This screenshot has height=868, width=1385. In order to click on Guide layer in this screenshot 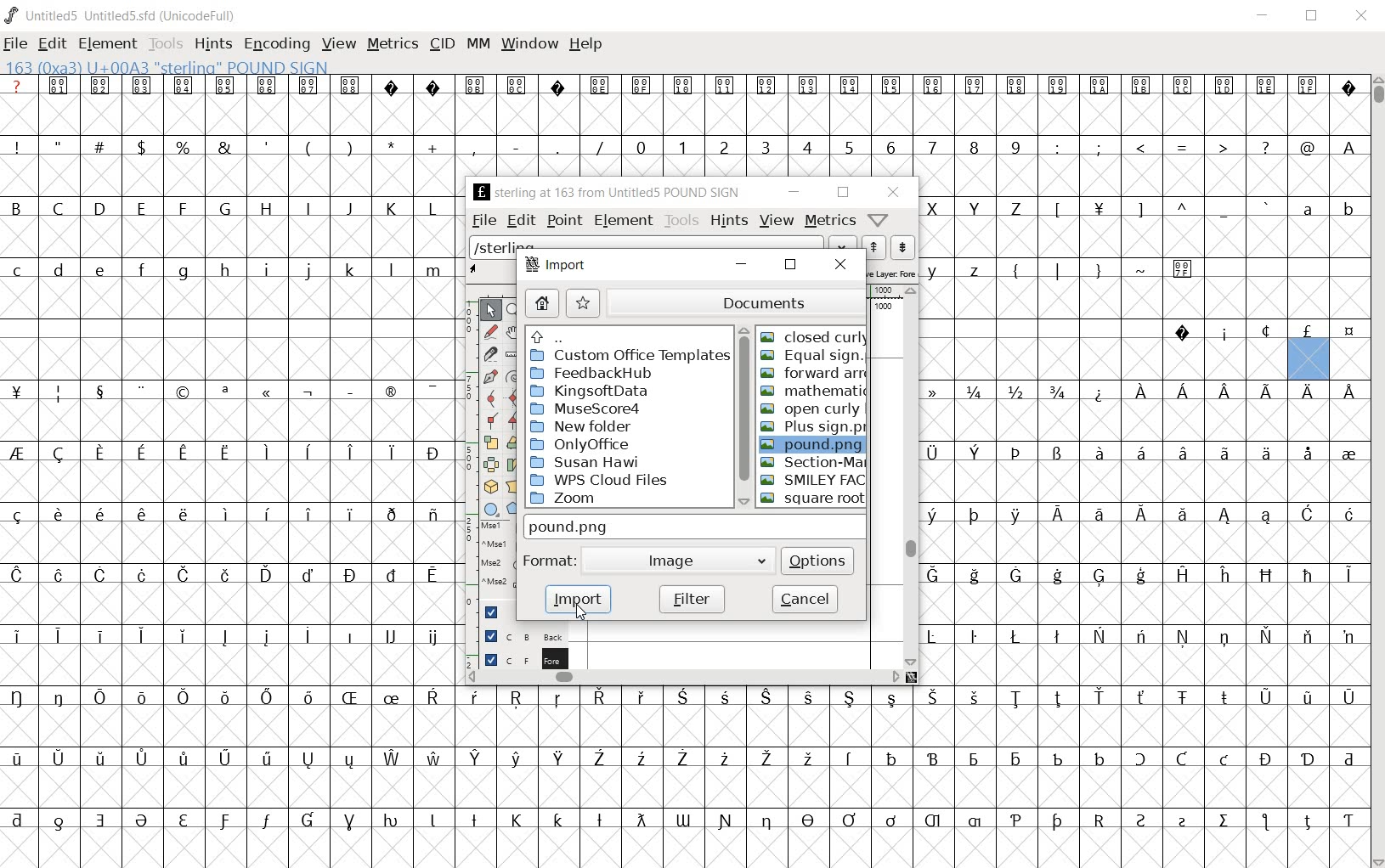, I will do `click(493, 612)`.